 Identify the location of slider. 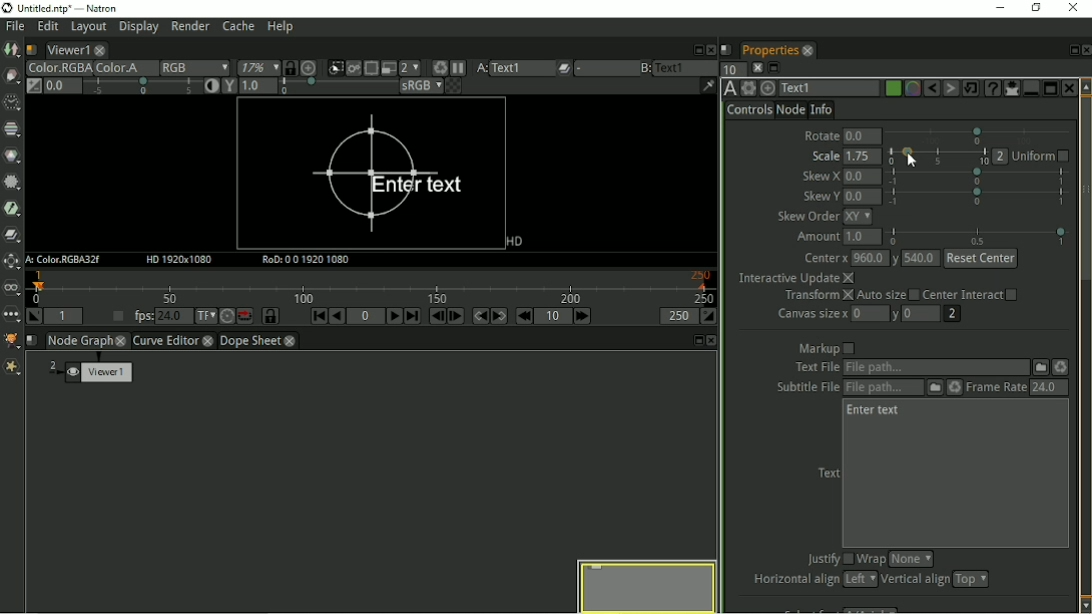
(938, 155).